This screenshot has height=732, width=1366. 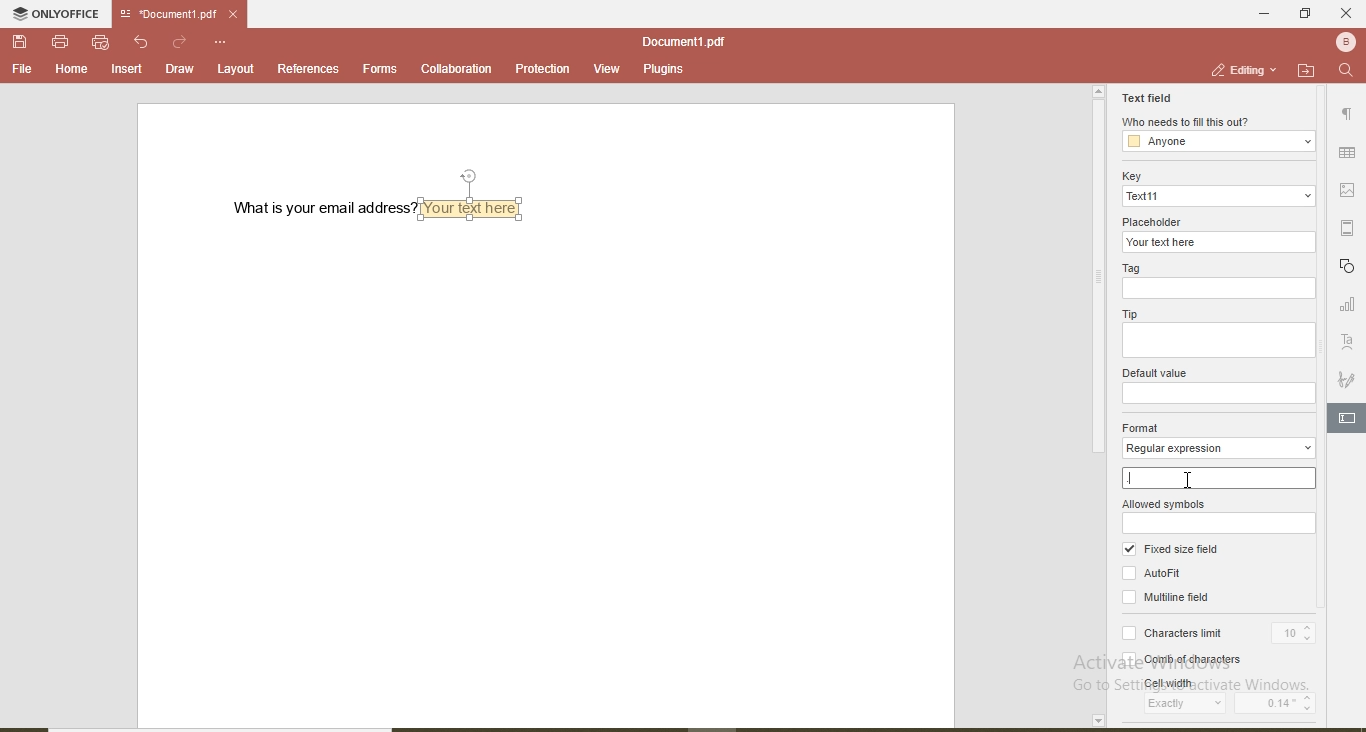 I want to click on default value, so click(x=1153, y=373).